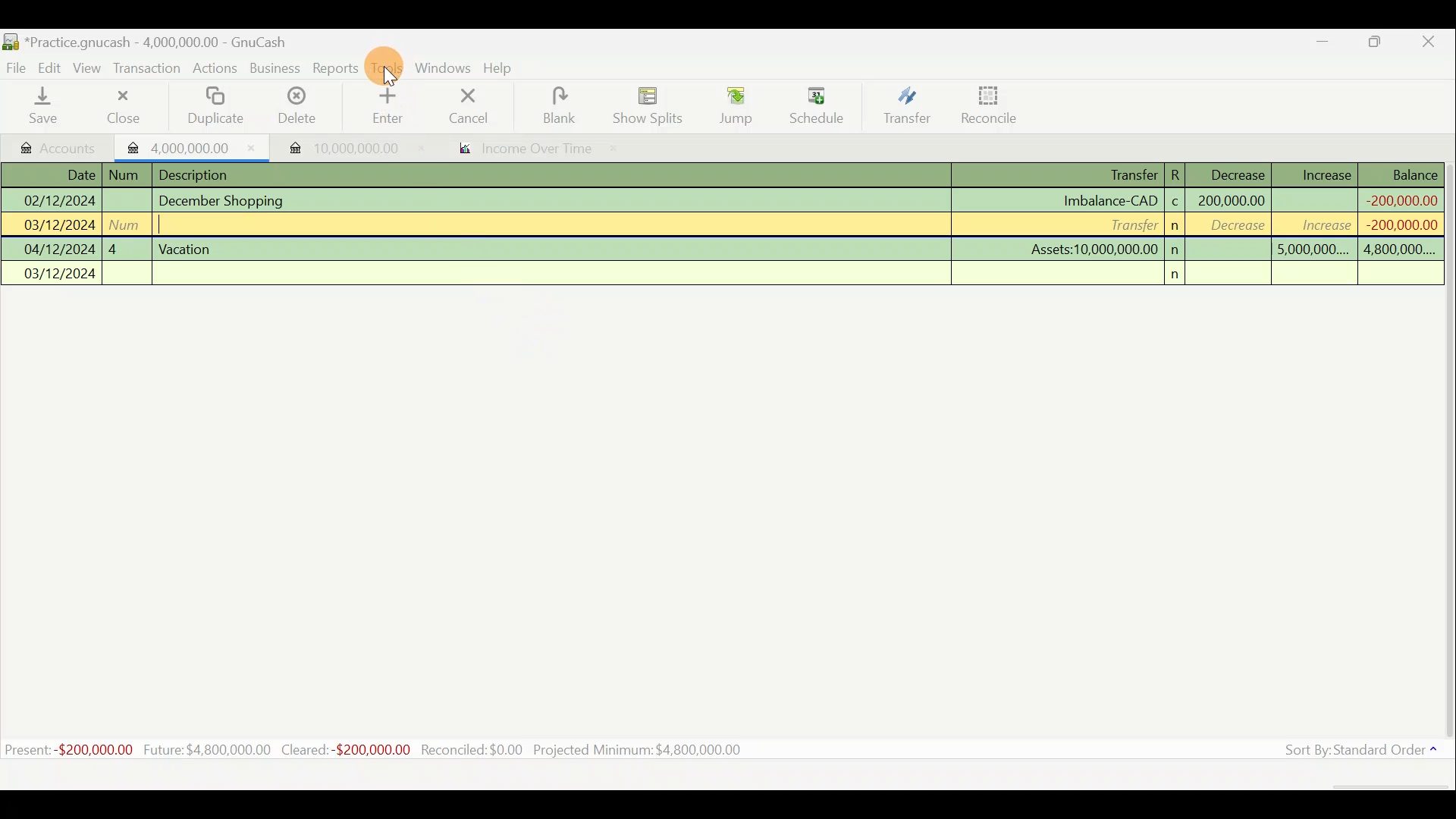 The image size is (1456, 819). I want to click on Sort by, so click(1354, 752).